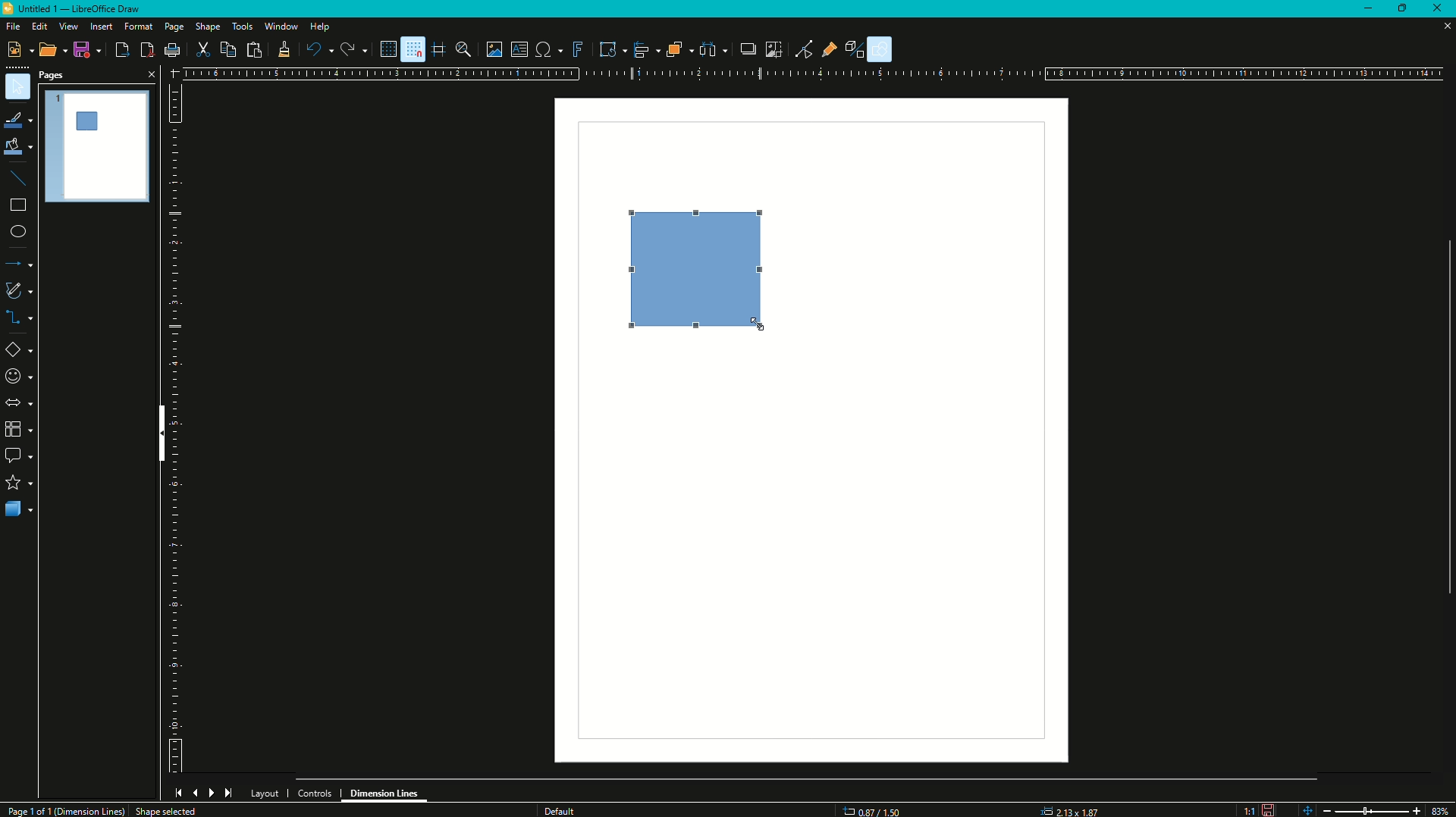  Describe the element at coordinates (576, 49) in the screenshot. I see `Insert Fontwork Text` at that location.